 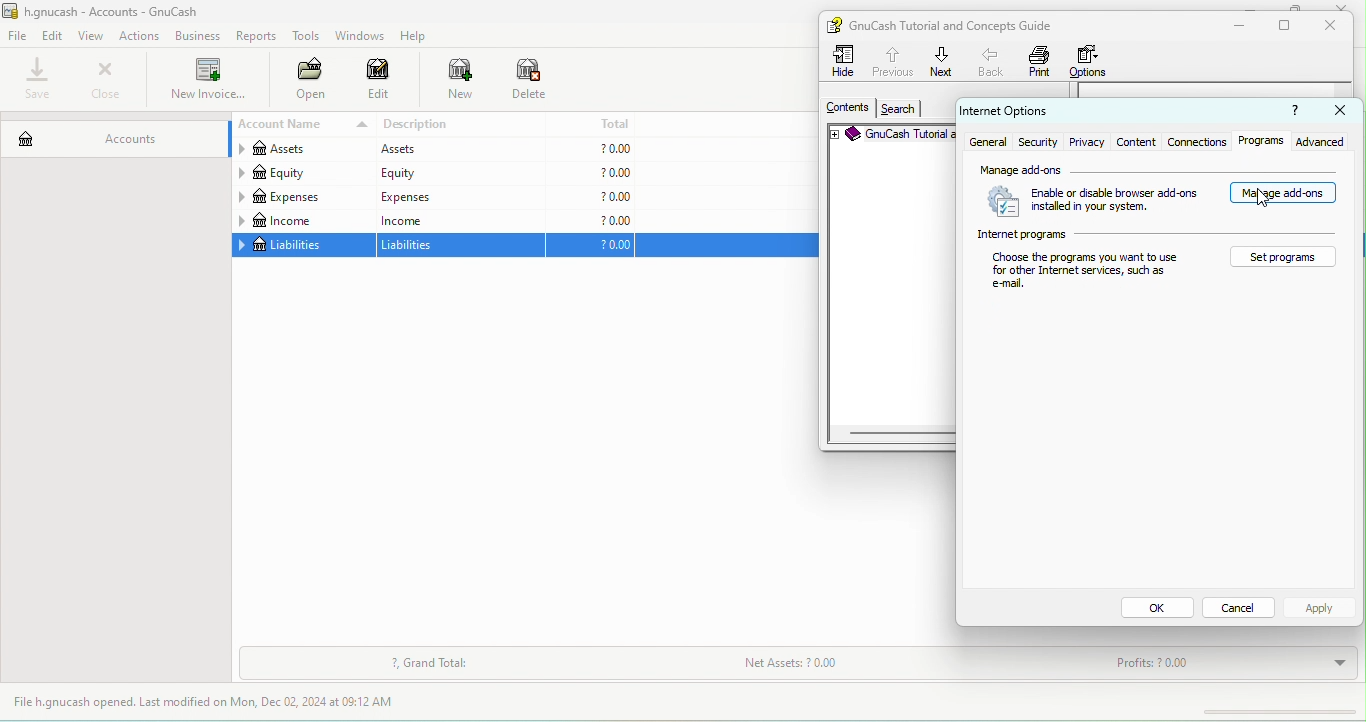 What do you see at coordinates (1196, 142) in the screenshot?
I see `connections` at bounding box center [1196, 142].